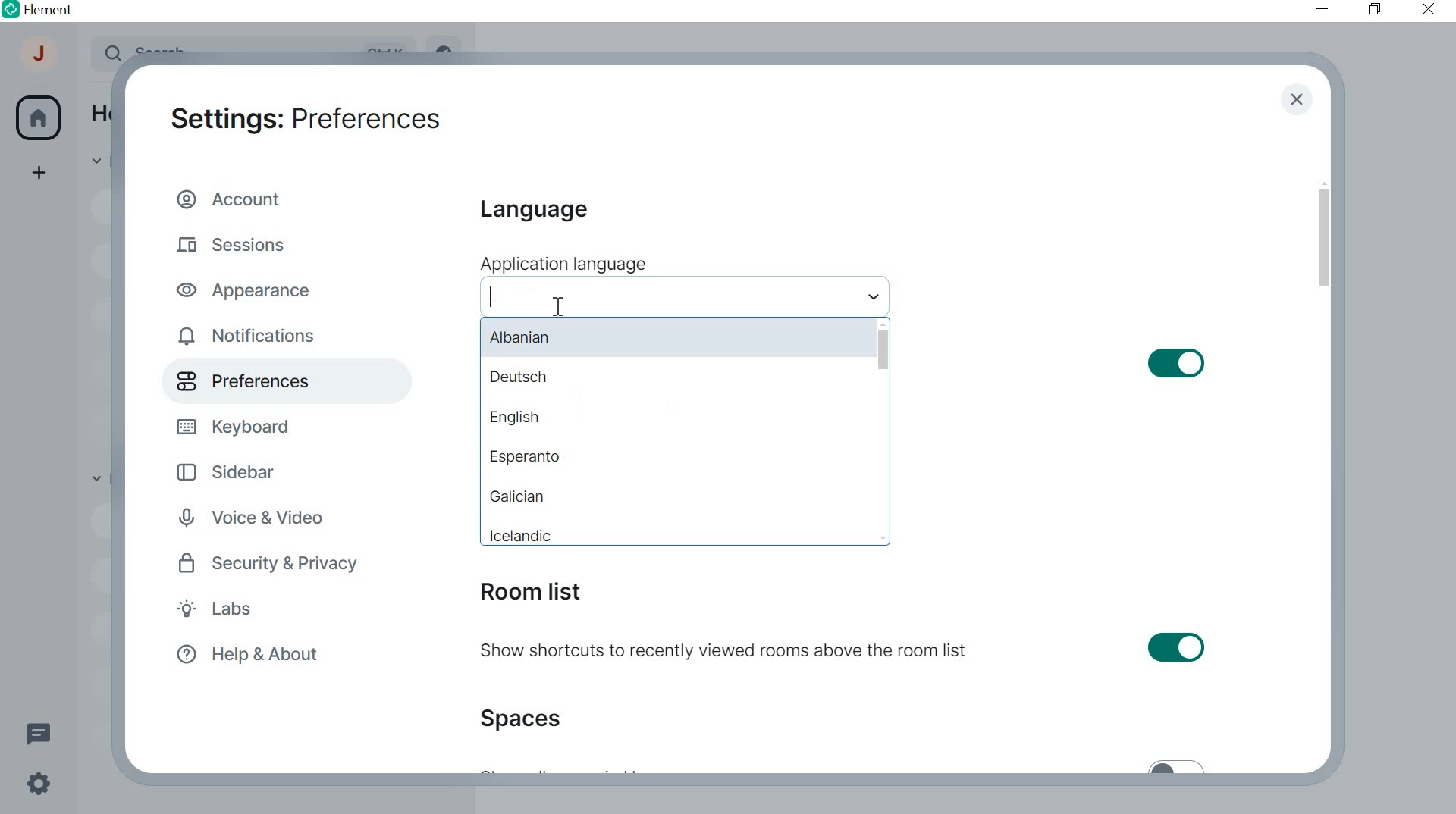 The width and height of the screenshot is (1456, 814). I want to click on CLOSE, so click(1424, 8).